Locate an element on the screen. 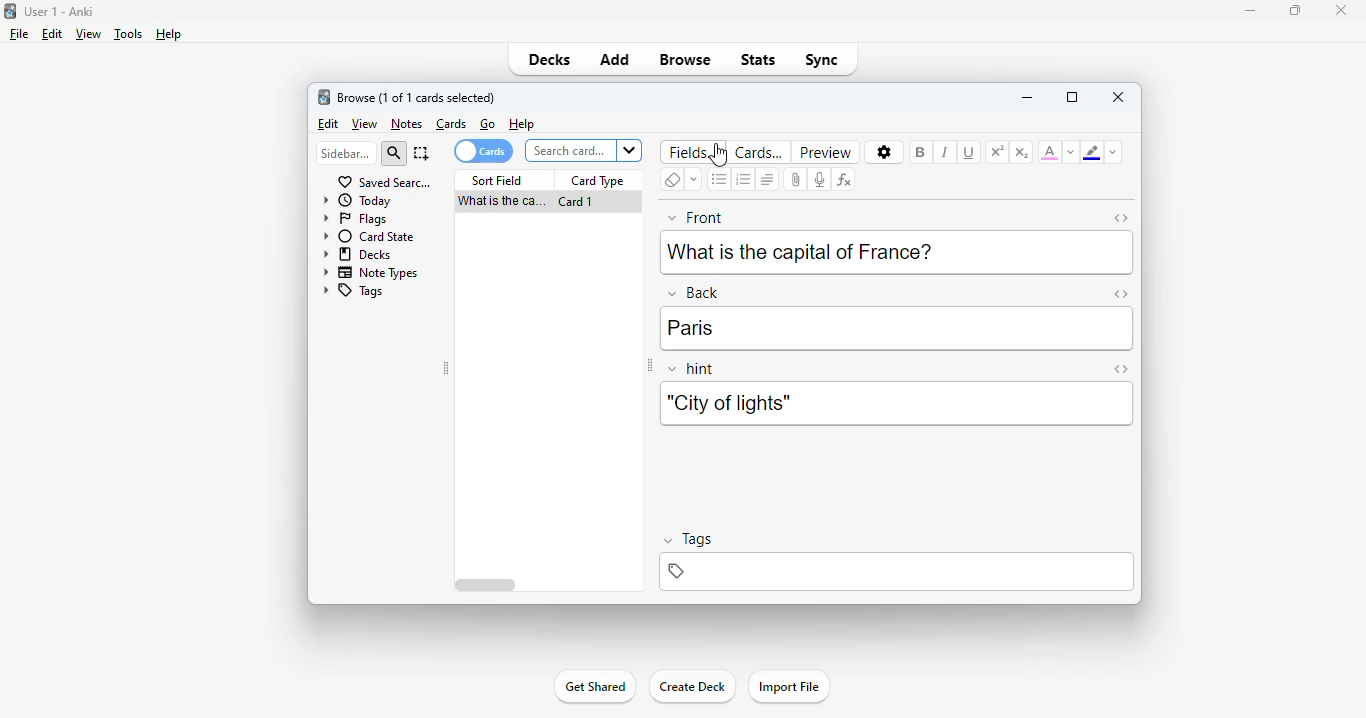 The height and width of the screenshot is (718, 1366). maximize is located at coordinates (1295, 9).